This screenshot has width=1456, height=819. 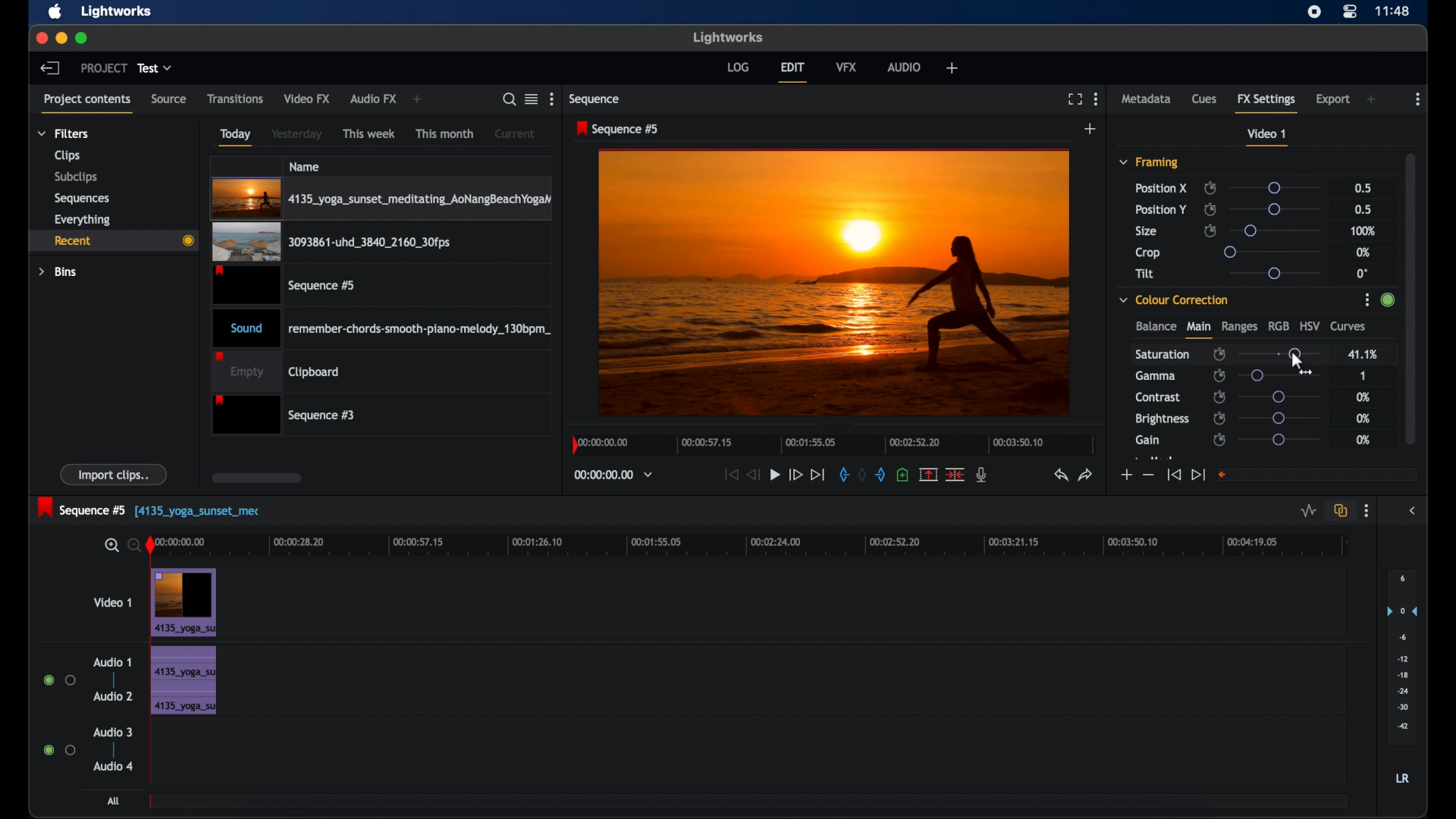 I want to click on more options, so click(x=1367, y=511).